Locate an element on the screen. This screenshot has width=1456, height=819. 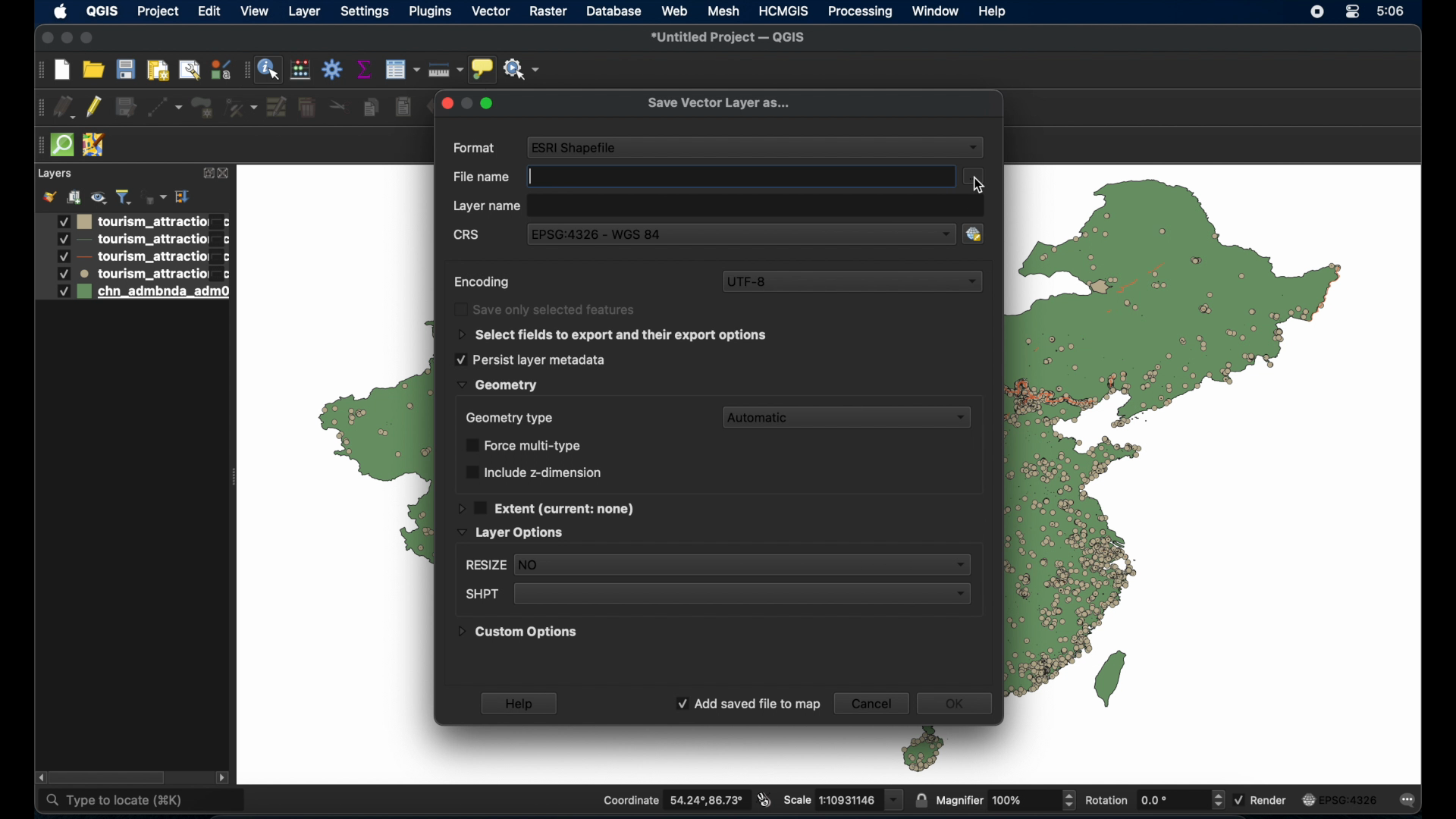
save edits is located at coordinates (127, 107).